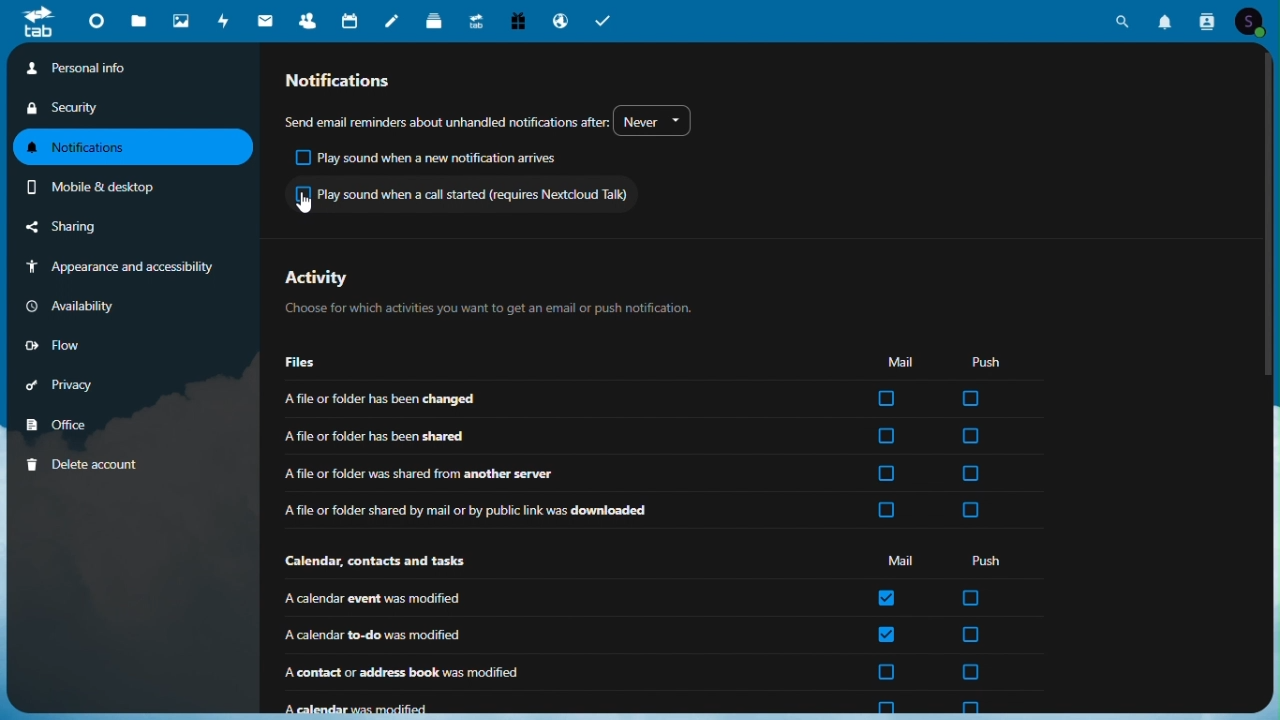  What do you see at coordinates (69, 109) in the screenshot?
I see `security` at bounding box center [69, 109].